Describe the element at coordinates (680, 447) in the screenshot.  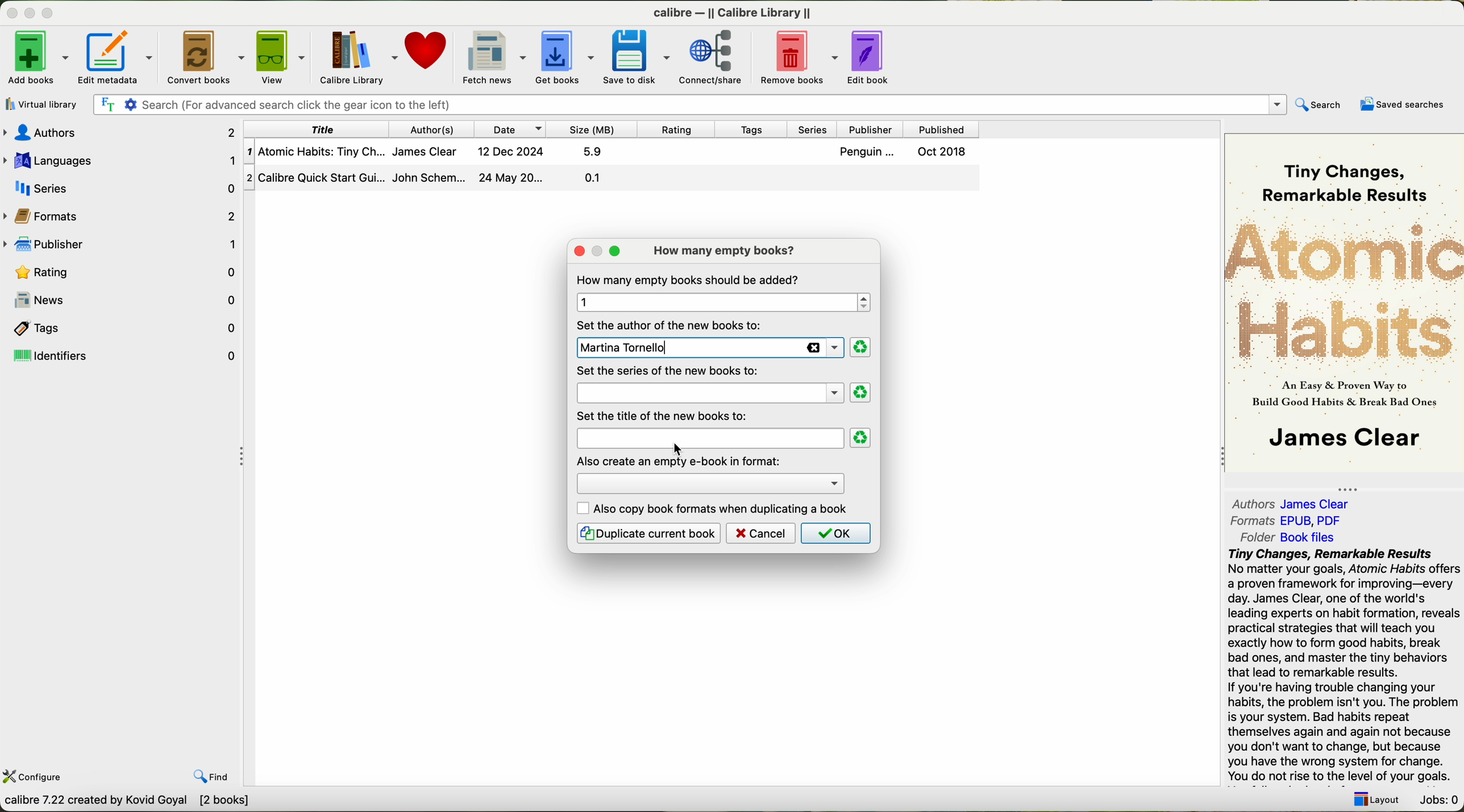
I see `click` at that location.